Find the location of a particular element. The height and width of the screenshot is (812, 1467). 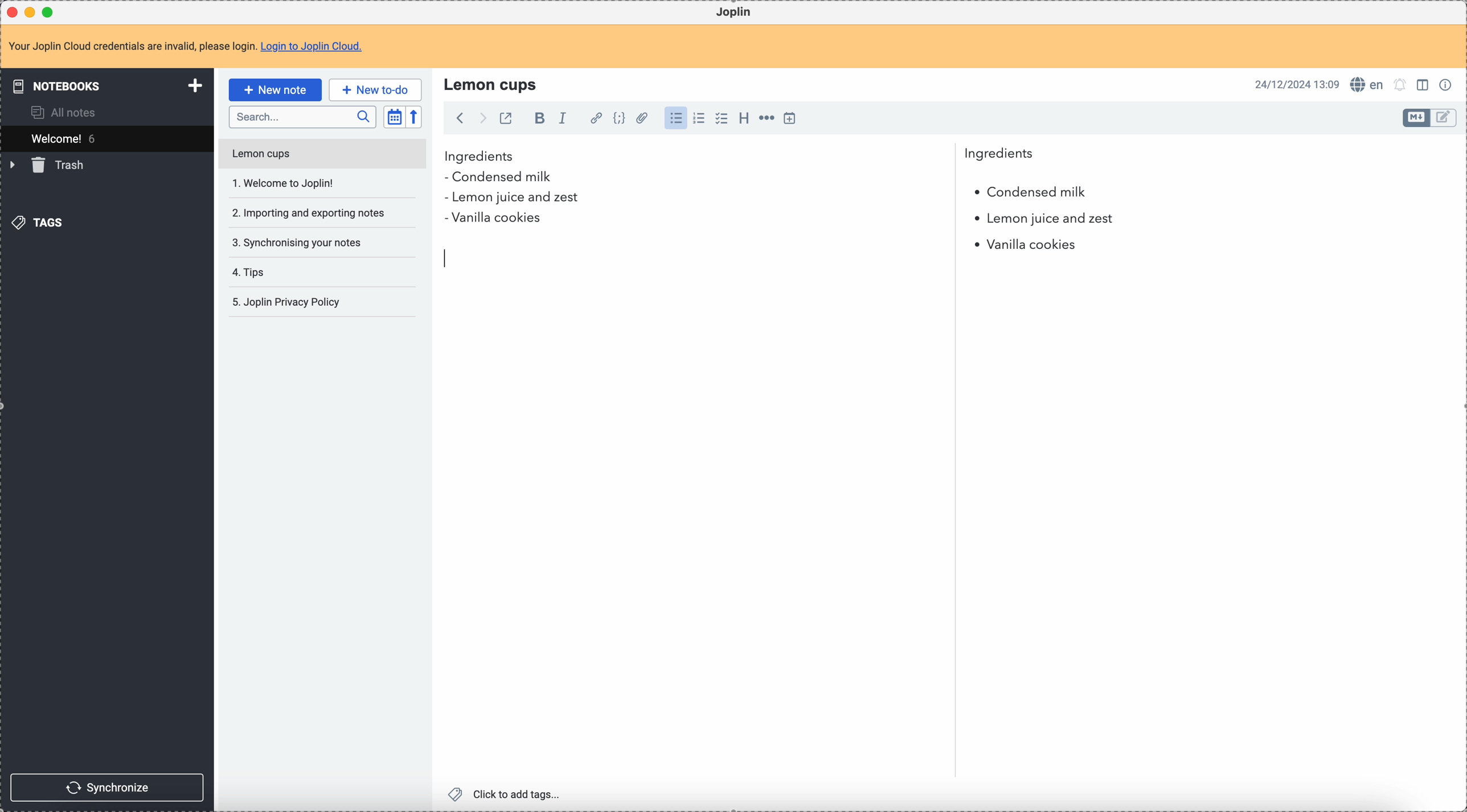

toggle edit layout is located at coordinates (1417, 118).